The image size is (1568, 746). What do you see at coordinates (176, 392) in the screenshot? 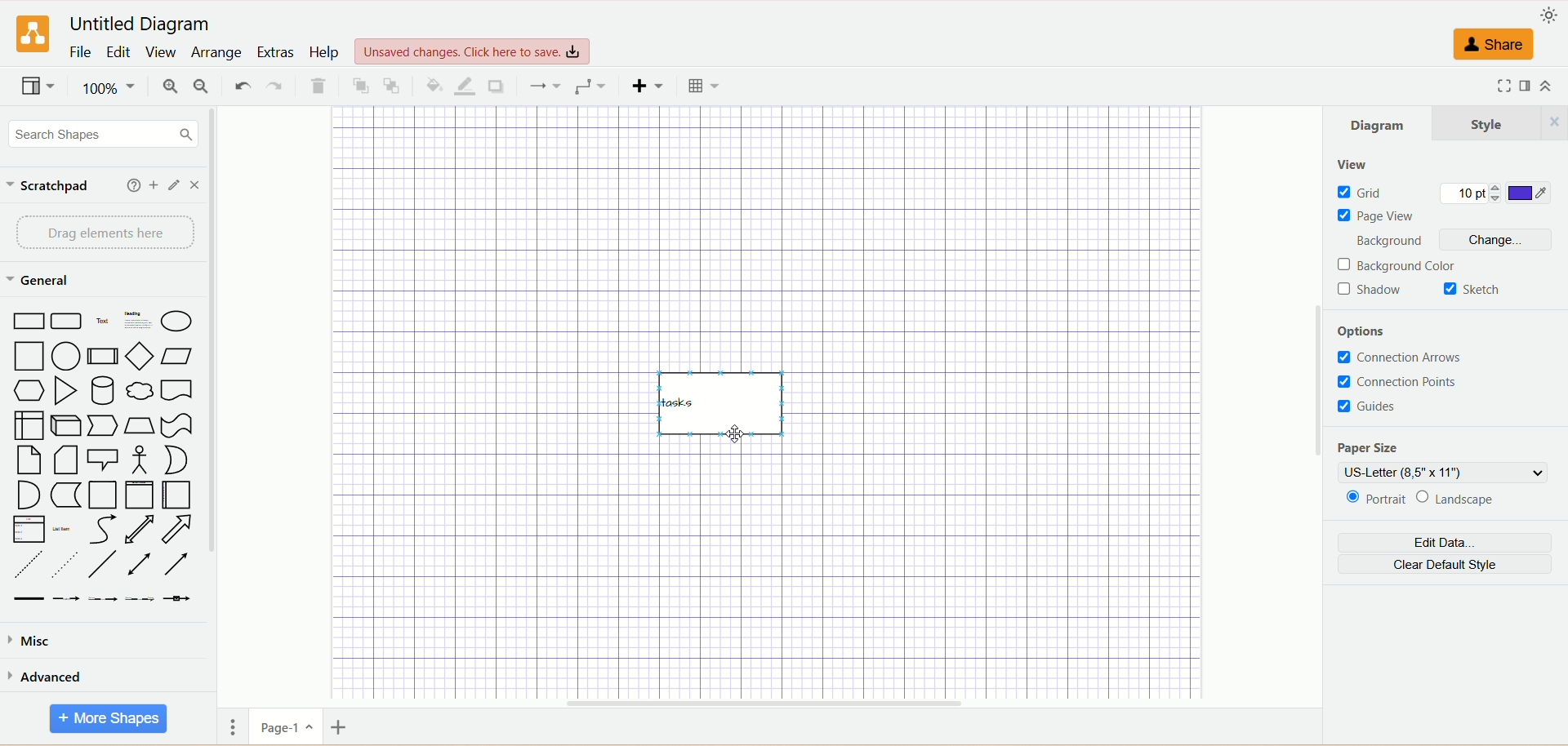
I see `Bookmark` at bounding box center [176, 392].